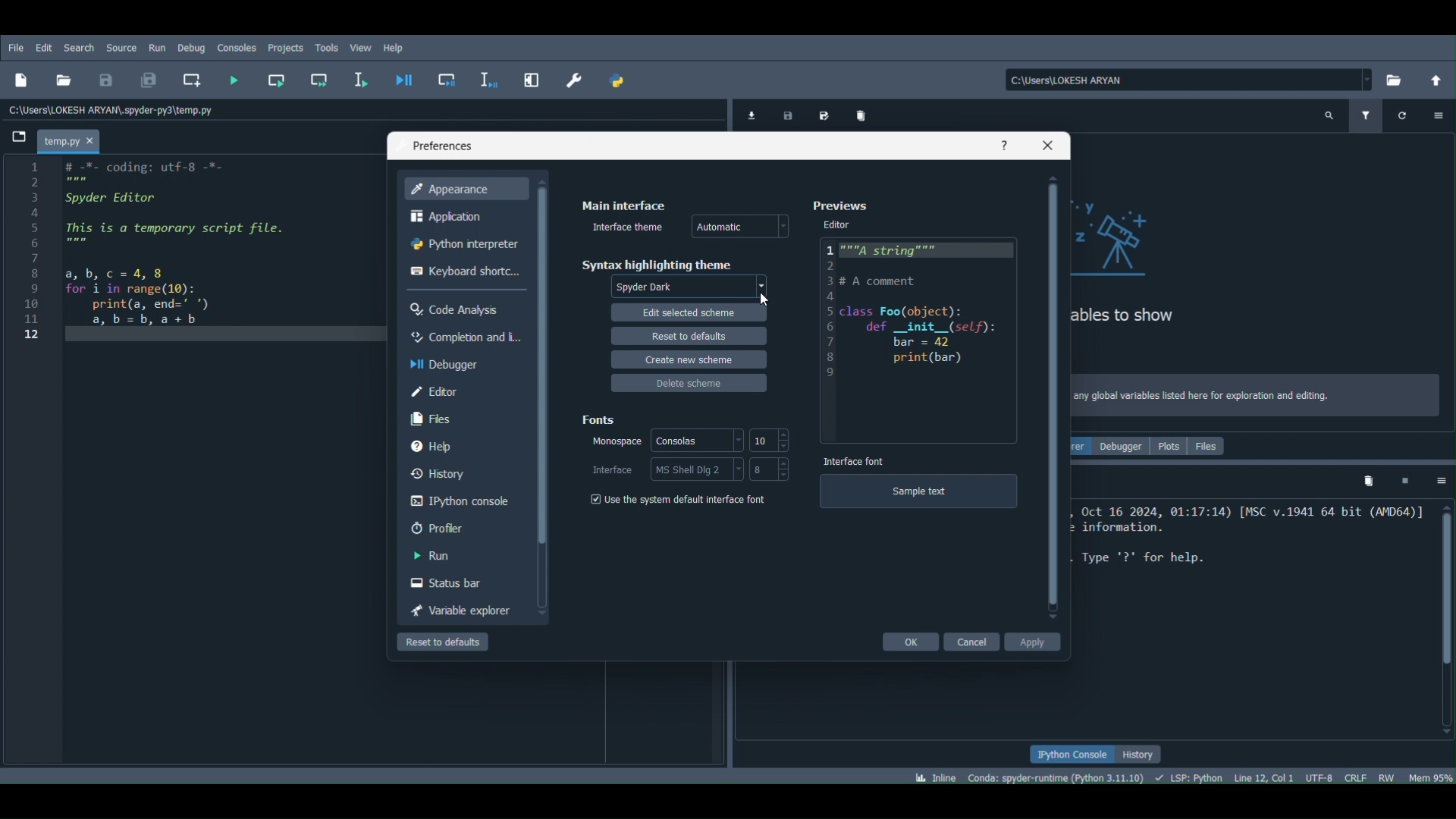  I want to click on Cancel, so click(973, 640).